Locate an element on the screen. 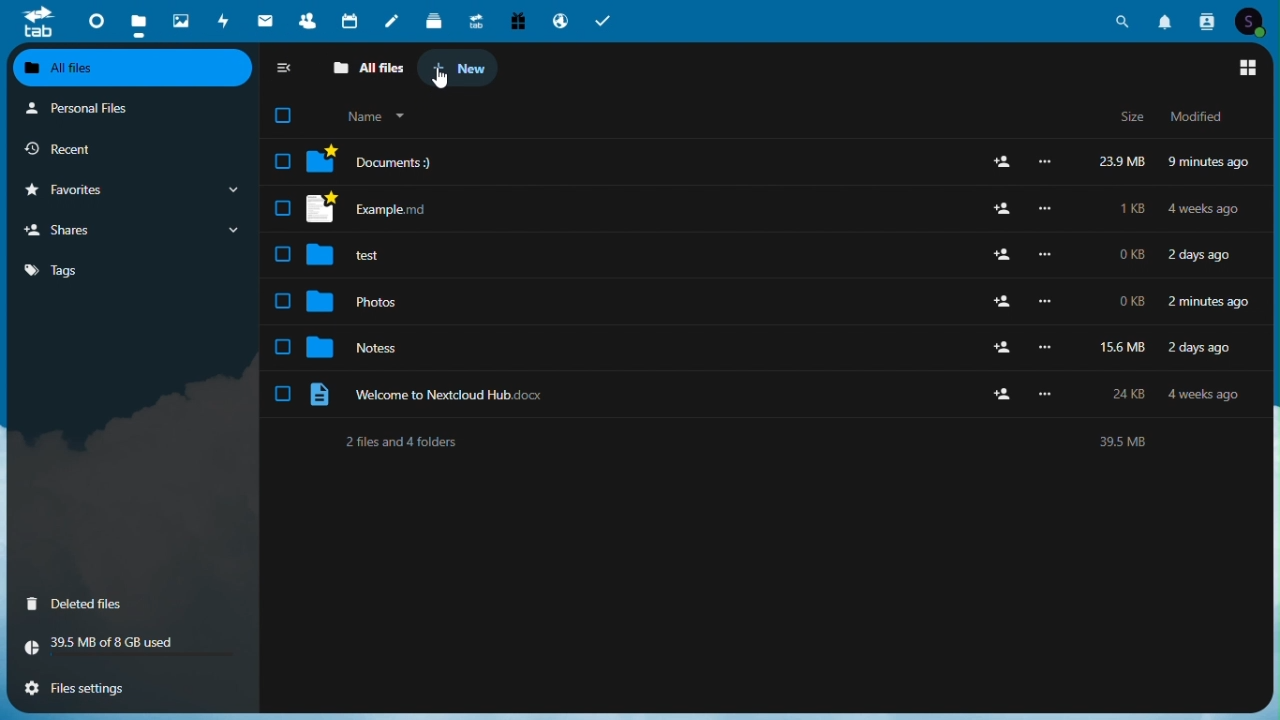 This screenshot has width=1280, height=720. New is located at coordinates (462, 67).